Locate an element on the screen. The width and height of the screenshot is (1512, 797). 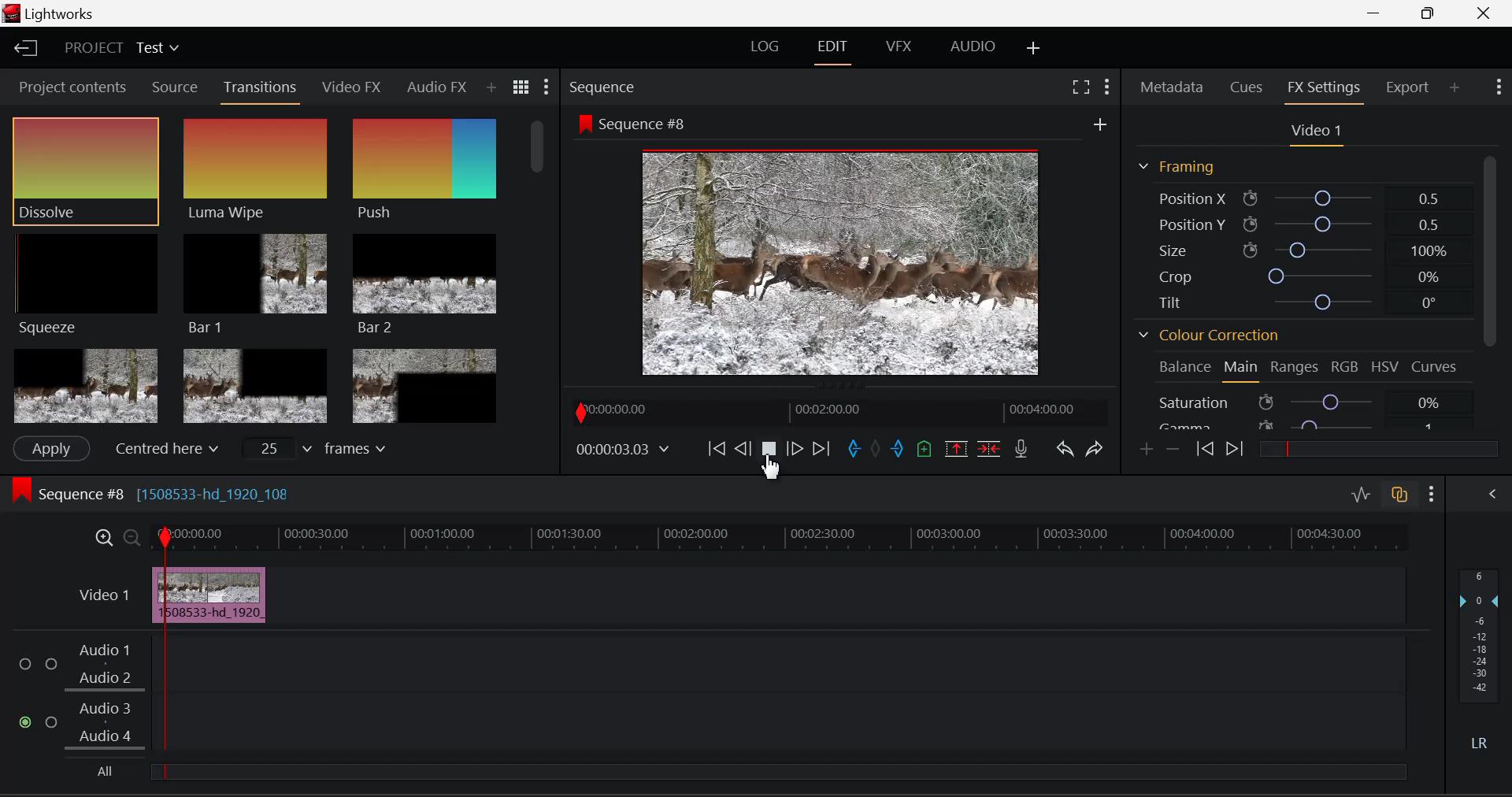
Framing Section is located at coordinates (1185, 167).